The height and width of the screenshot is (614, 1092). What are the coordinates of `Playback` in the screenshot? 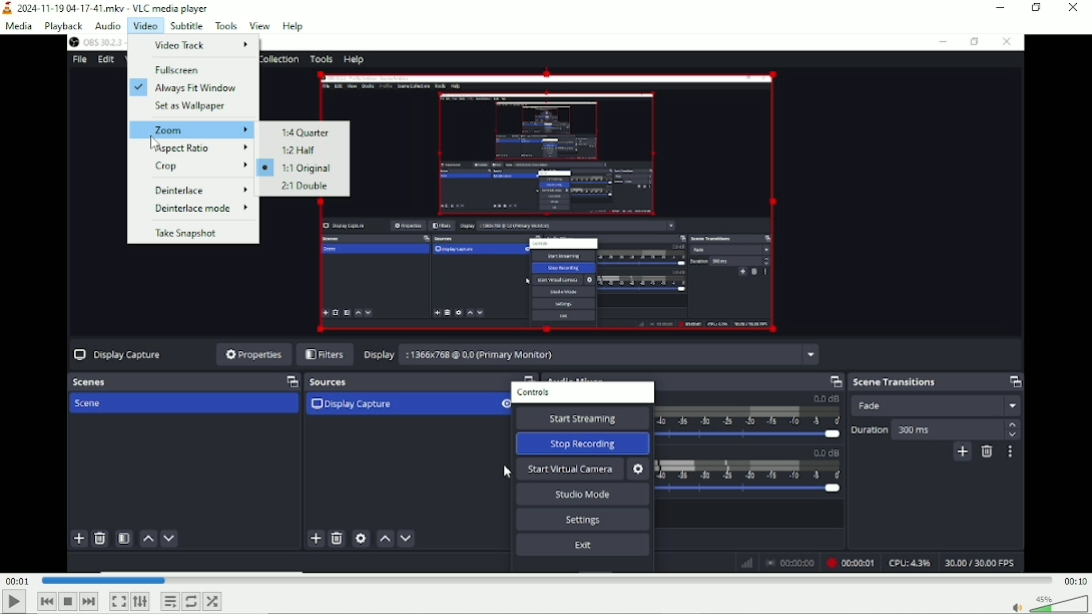 It's located at (63, 27).